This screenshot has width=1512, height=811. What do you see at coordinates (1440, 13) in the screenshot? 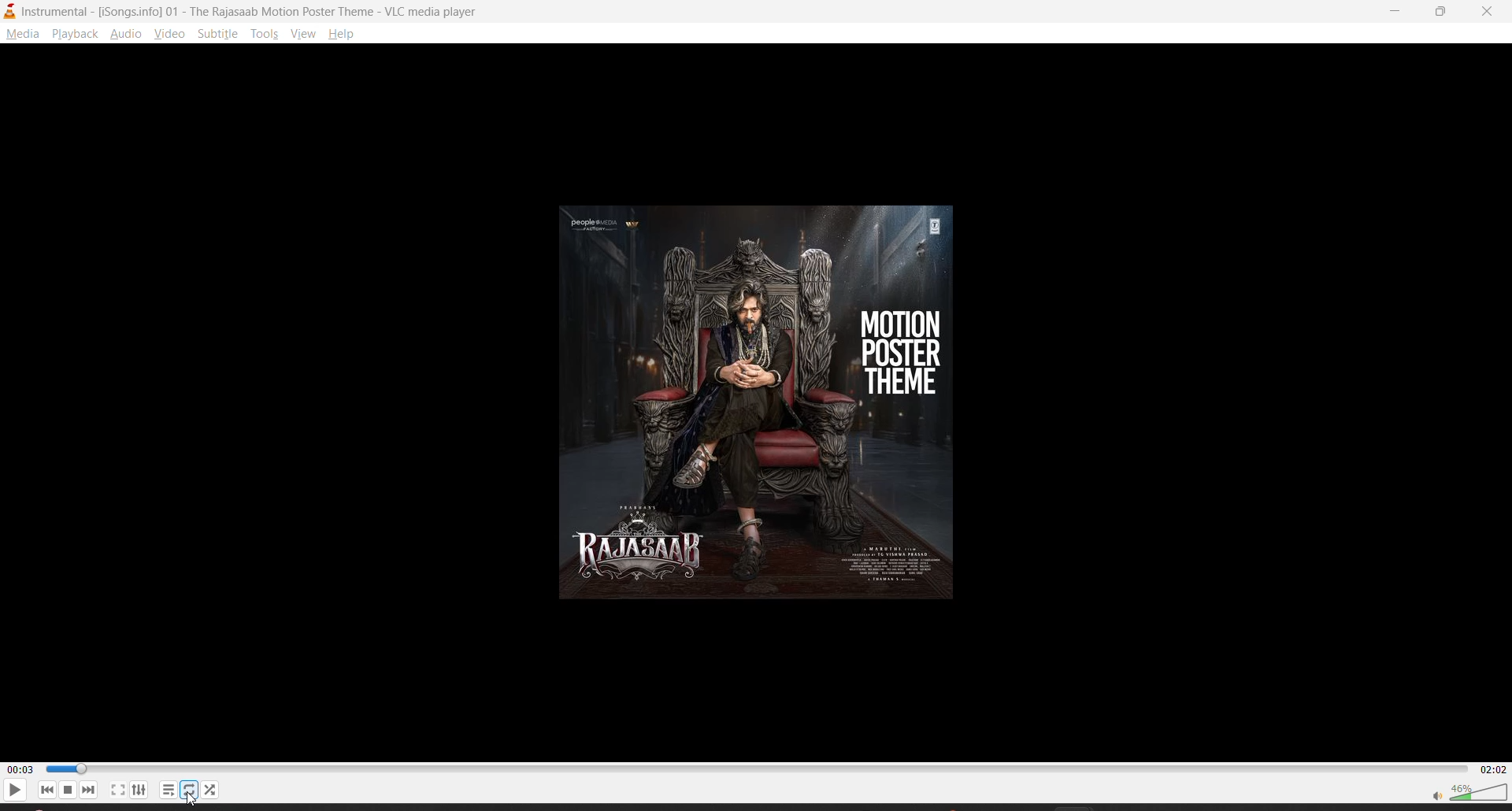
I see `maximize` at bounding box center [1440, 13].